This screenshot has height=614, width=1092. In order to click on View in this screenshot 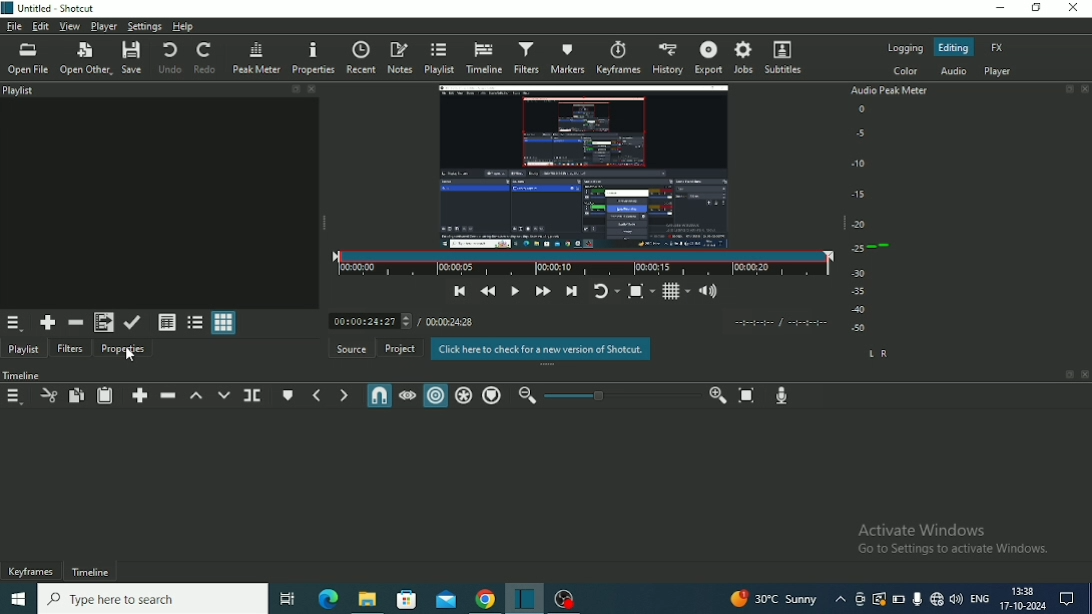, I will do `click(68, 26)`.